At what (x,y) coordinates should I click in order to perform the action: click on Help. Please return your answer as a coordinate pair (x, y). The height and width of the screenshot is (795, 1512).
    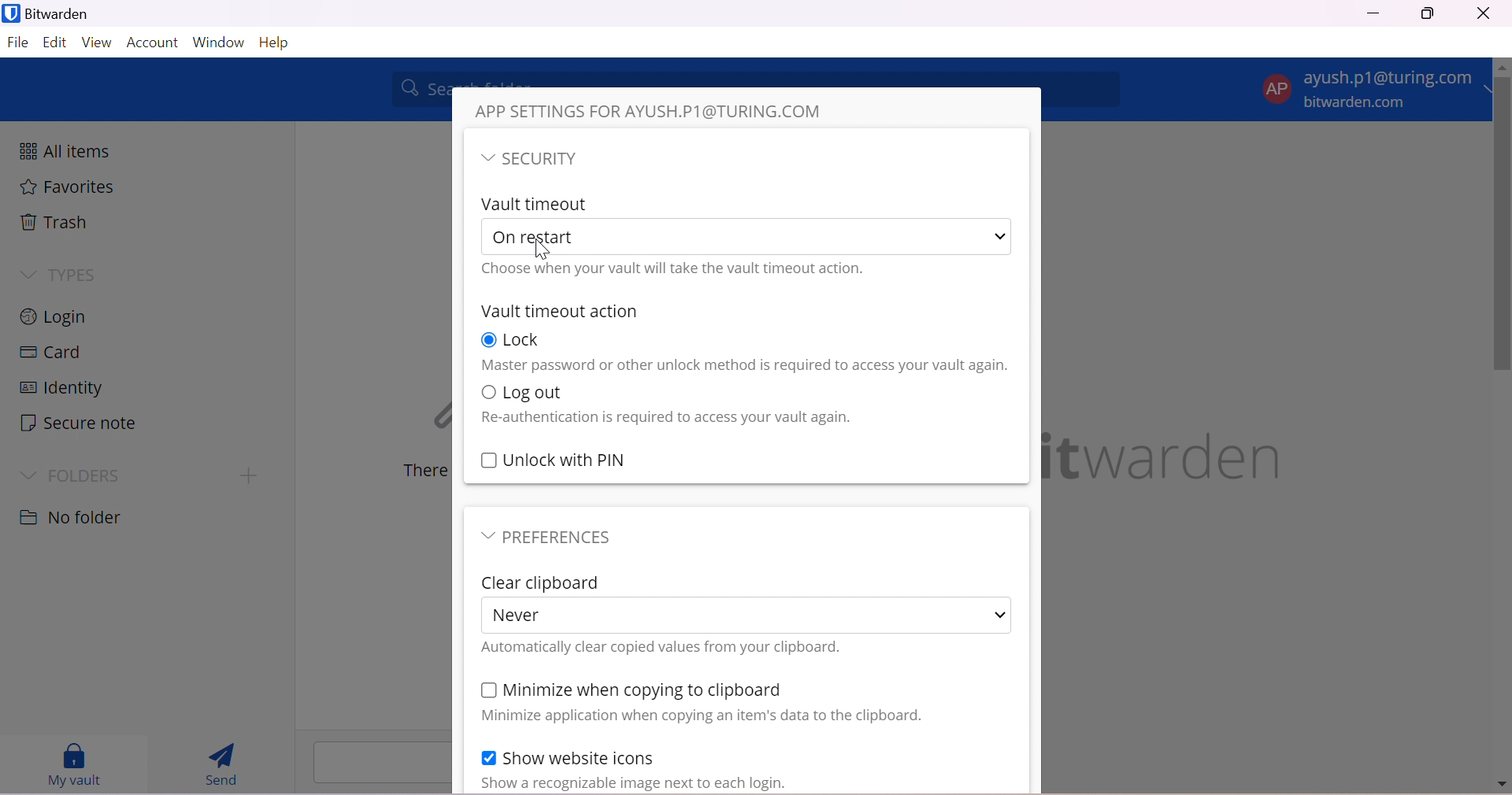
    Looking at the image, I should click on (280, 44).